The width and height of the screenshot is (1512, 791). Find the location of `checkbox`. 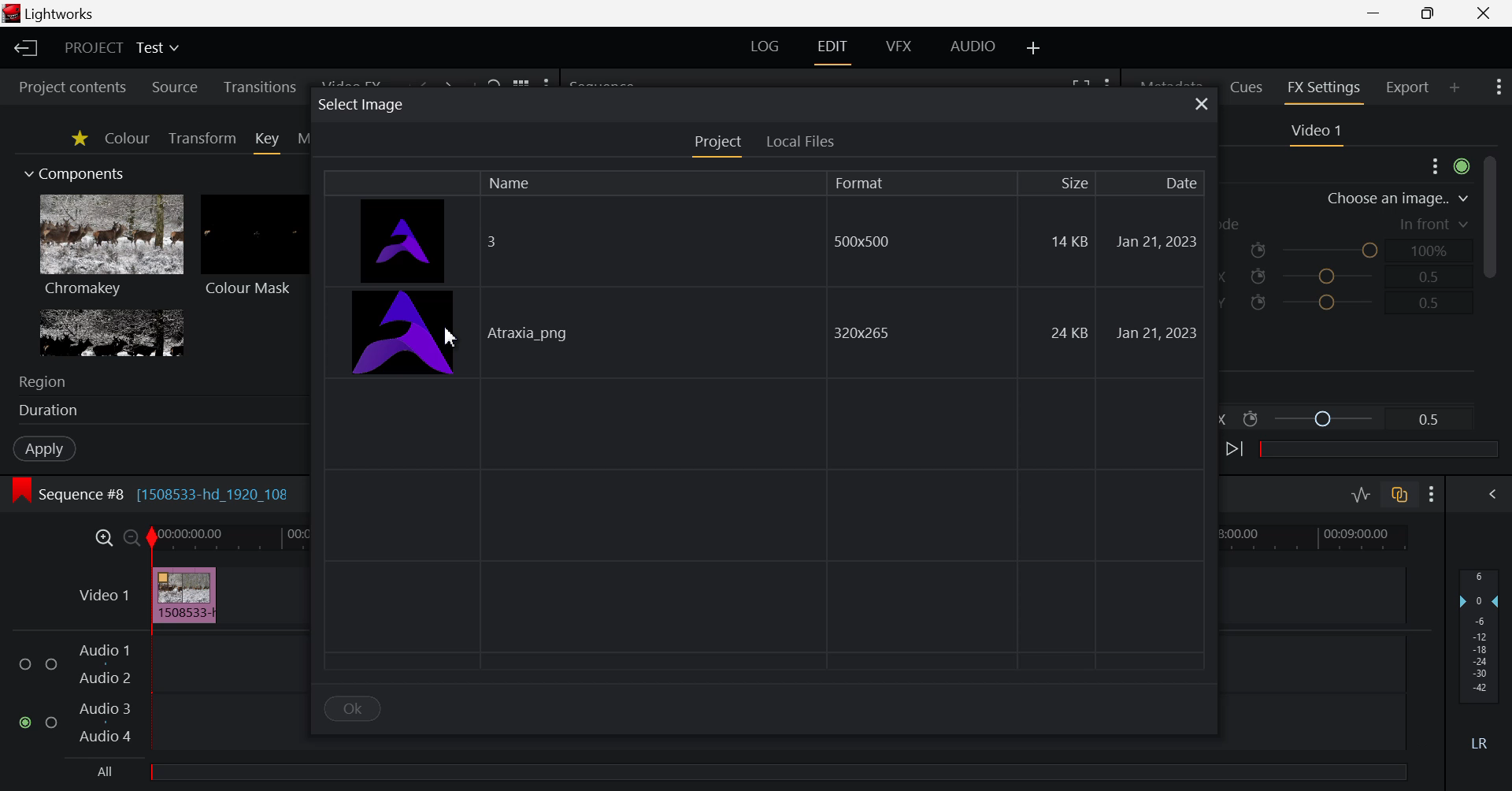

checkbox is located at coordinates (51, 722).